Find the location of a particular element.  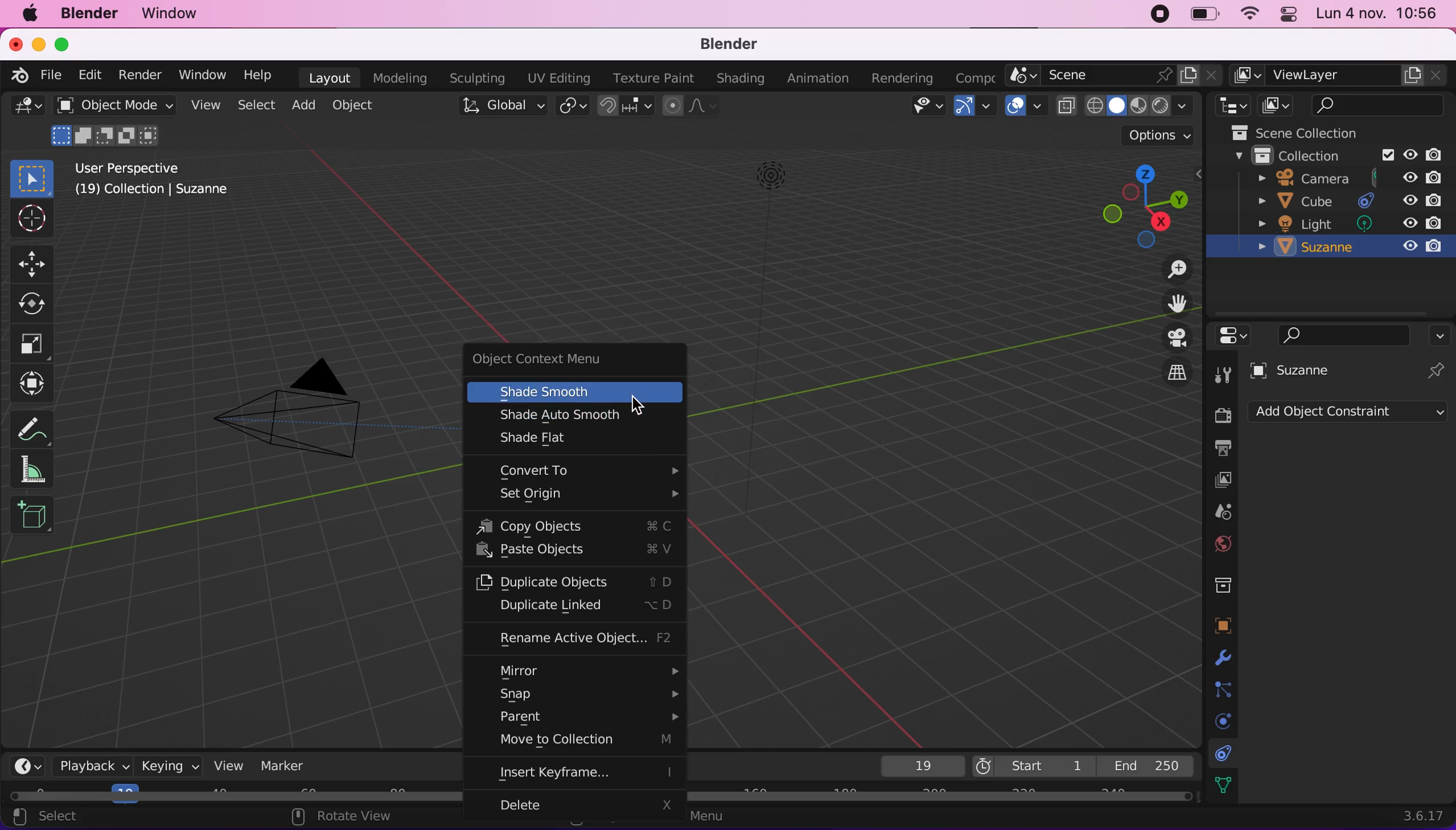

window is located at coordinates (201, 75).